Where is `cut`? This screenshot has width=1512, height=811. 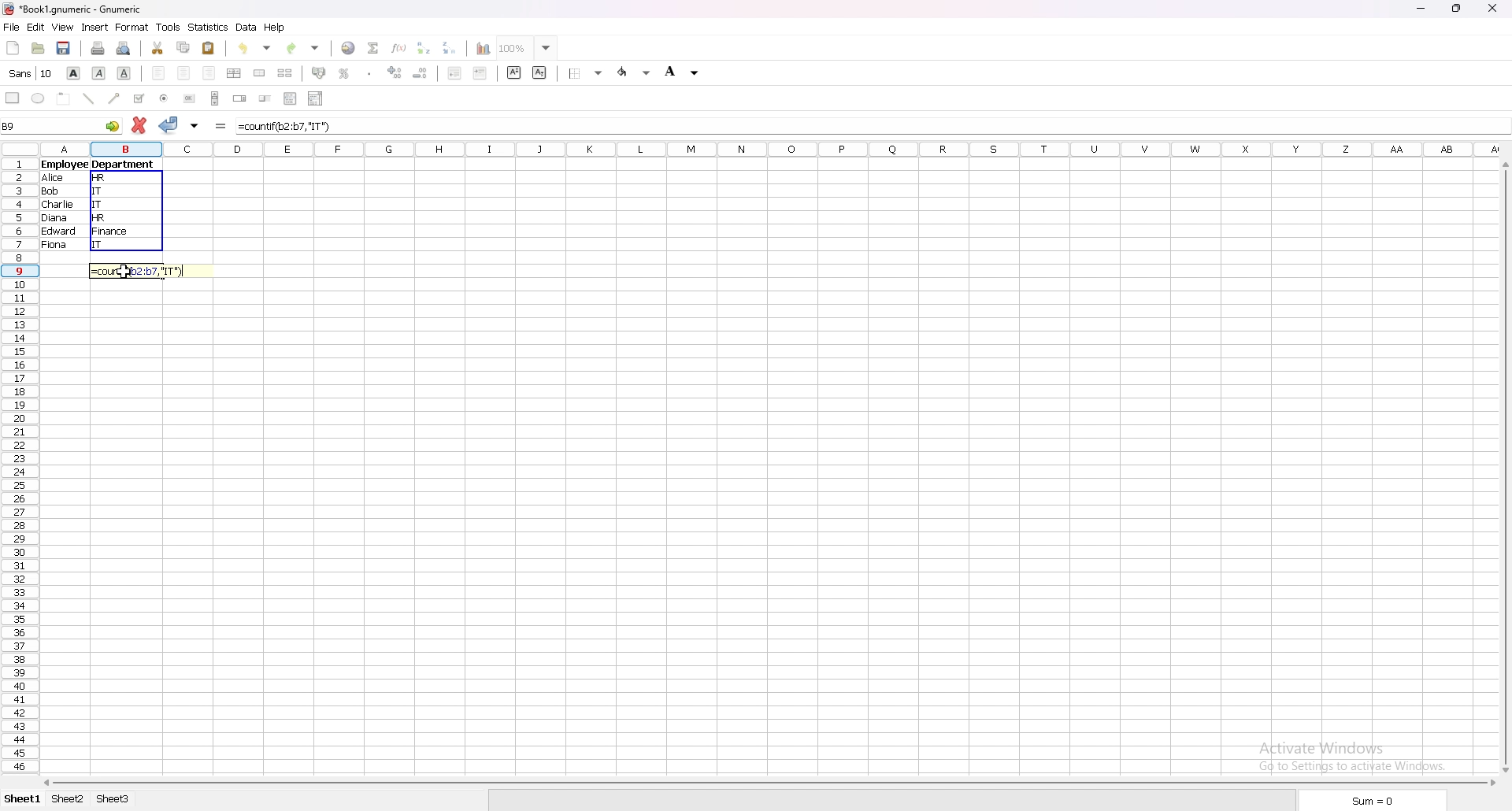
cut is located at coordinates (157, 47).